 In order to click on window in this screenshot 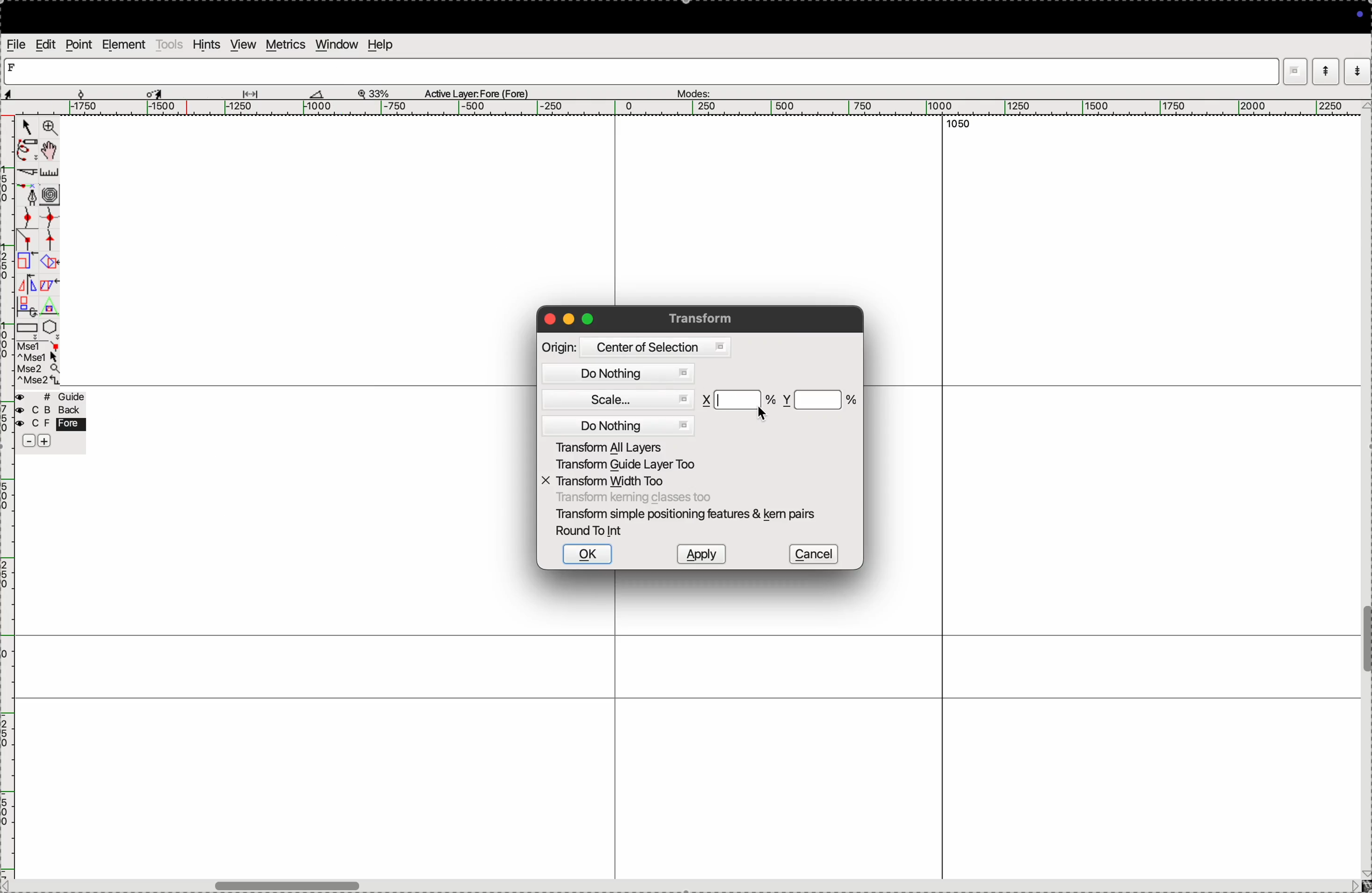, I will do `click(337, 44)`.